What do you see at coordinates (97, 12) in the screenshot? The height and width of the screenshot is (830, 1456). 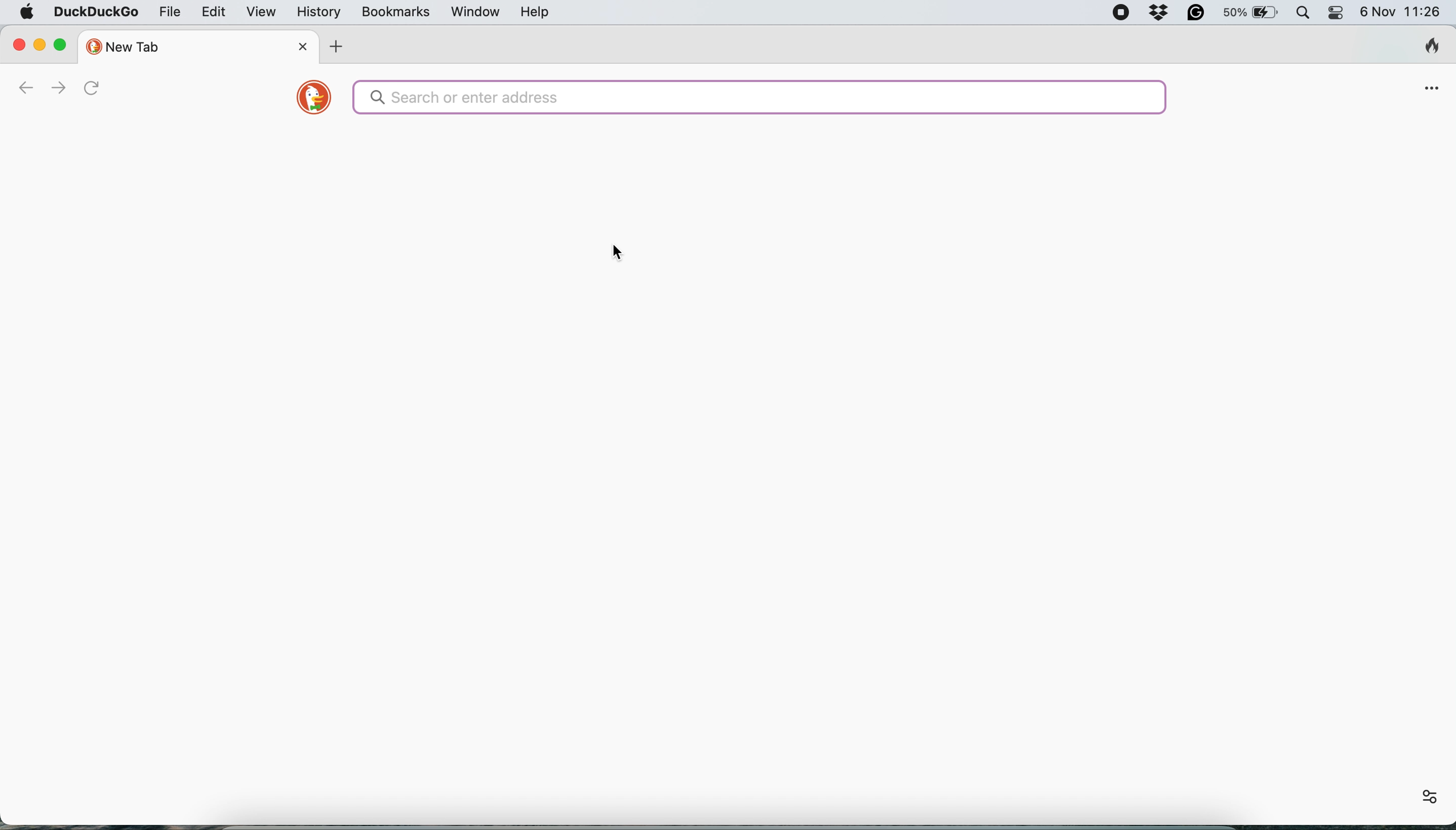 I see `duckduckgo` at bounding box center [97, 12].